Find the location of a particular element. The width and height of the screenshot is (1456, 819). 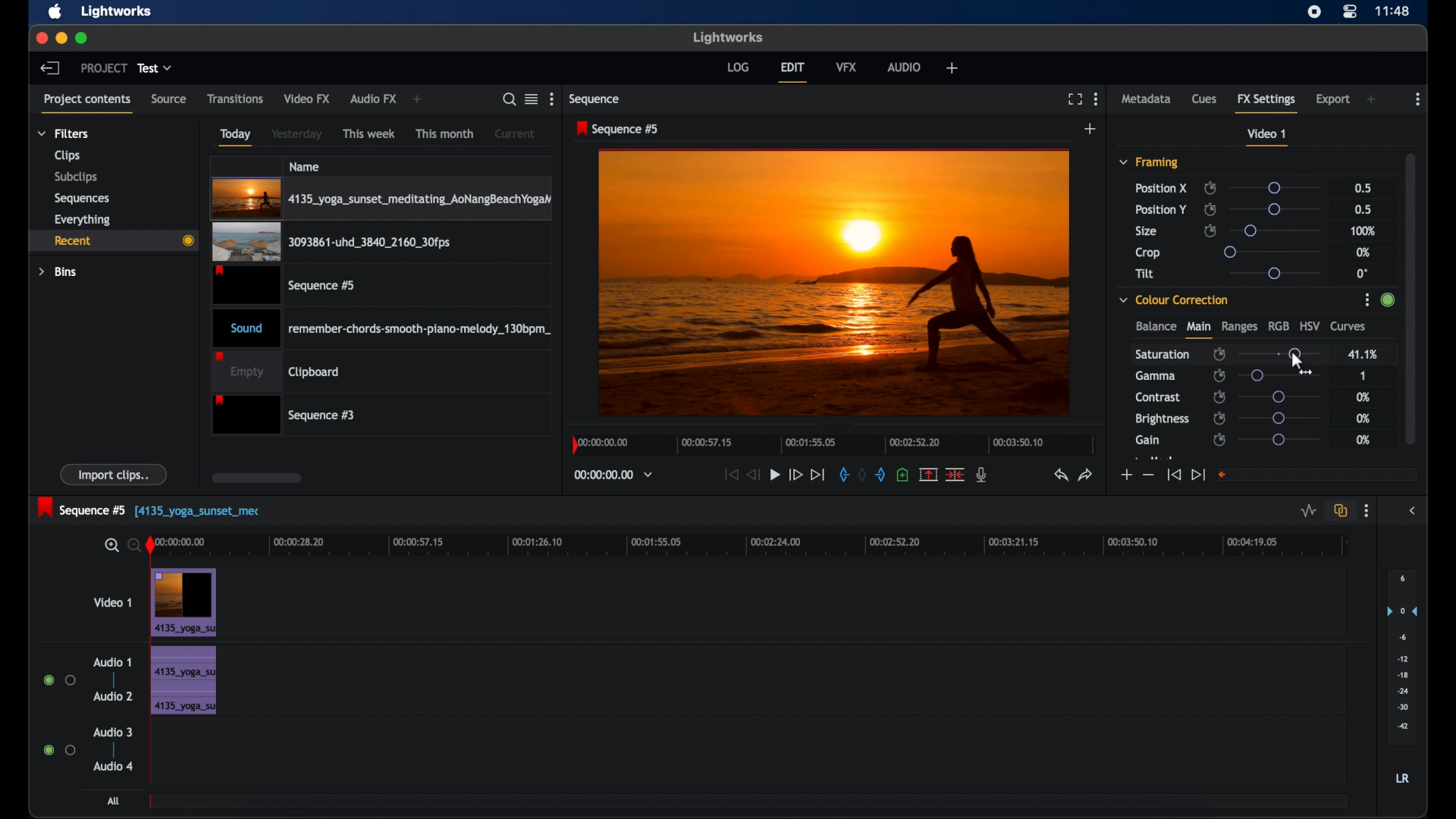

100% is located at coordinates (1363, 231).